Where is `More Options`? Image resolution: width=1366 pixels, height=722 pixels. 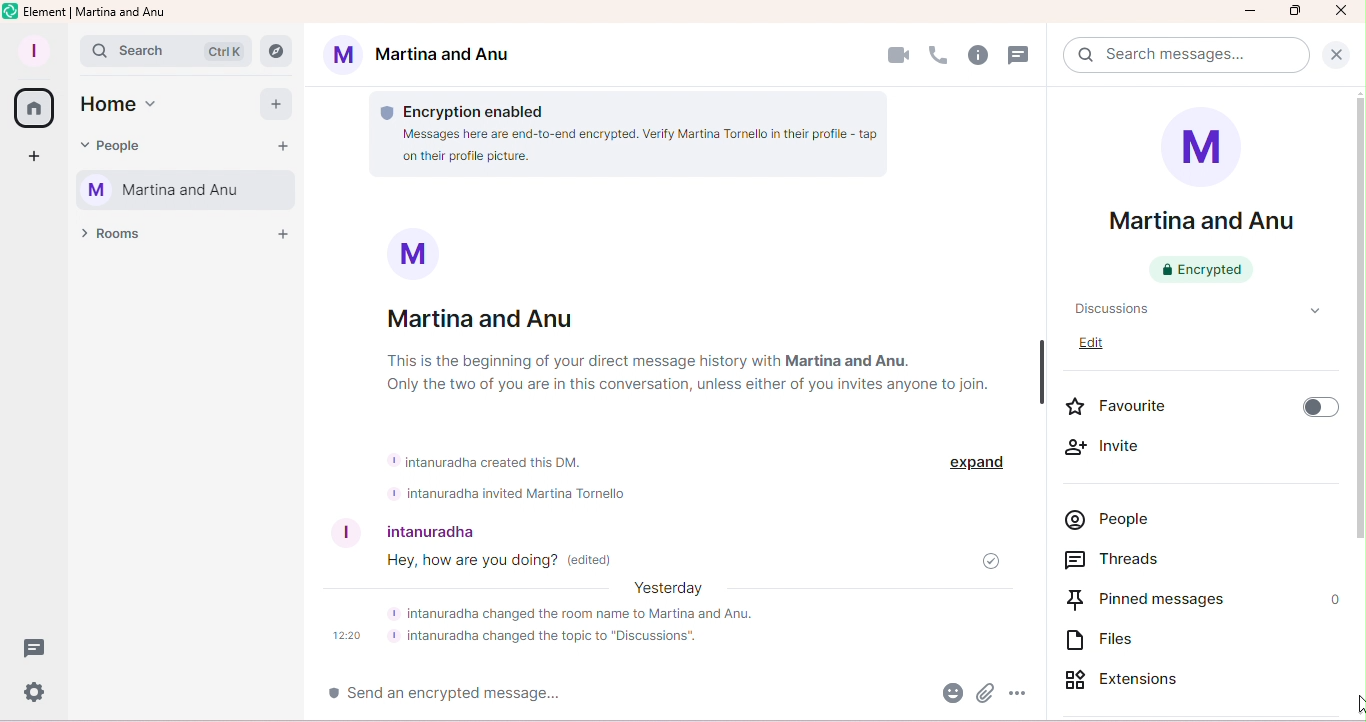
More Options is located at coordinates (1020, 695).